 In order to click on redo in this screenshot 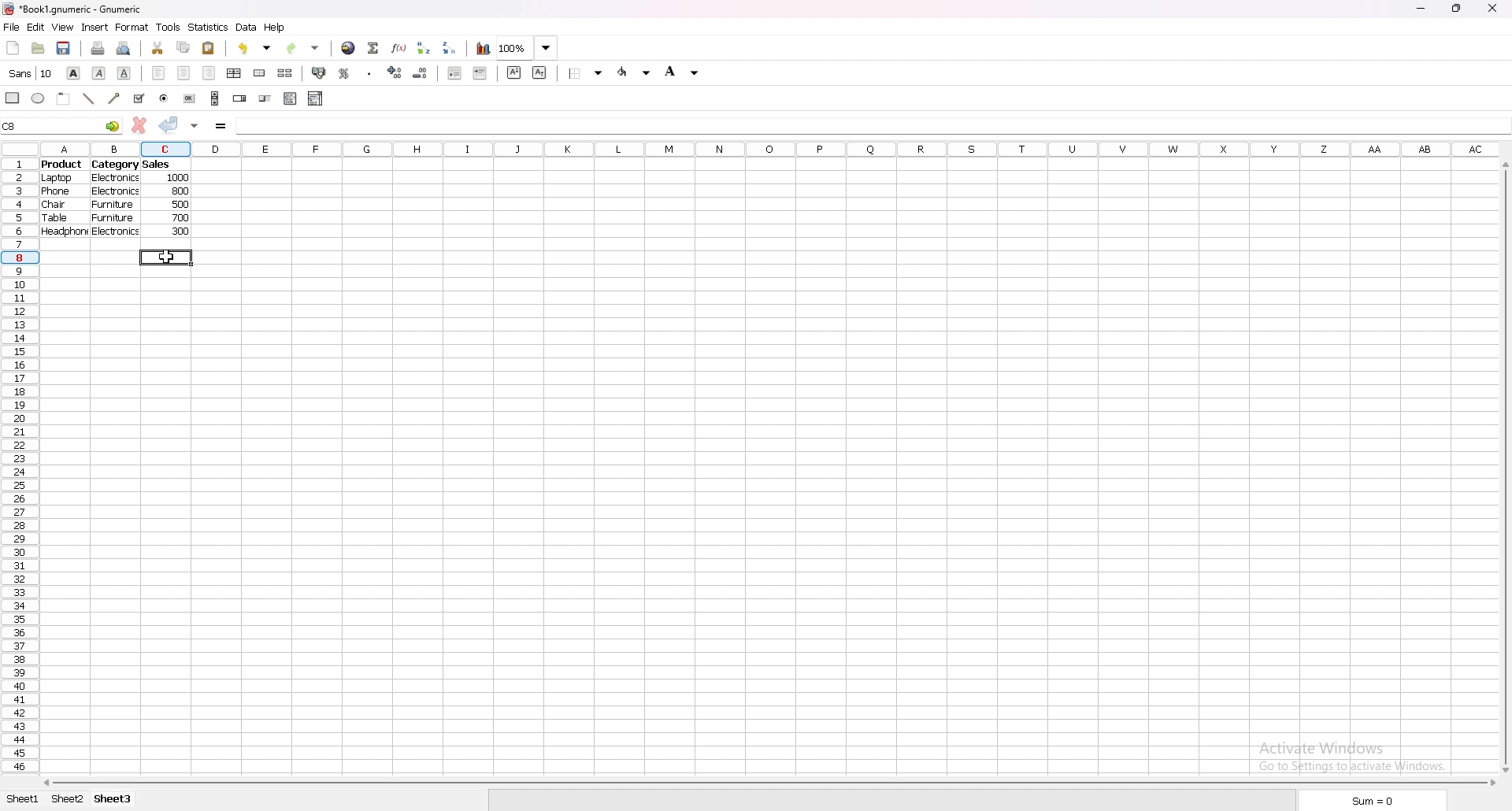, I will do `click(304, 47)`.